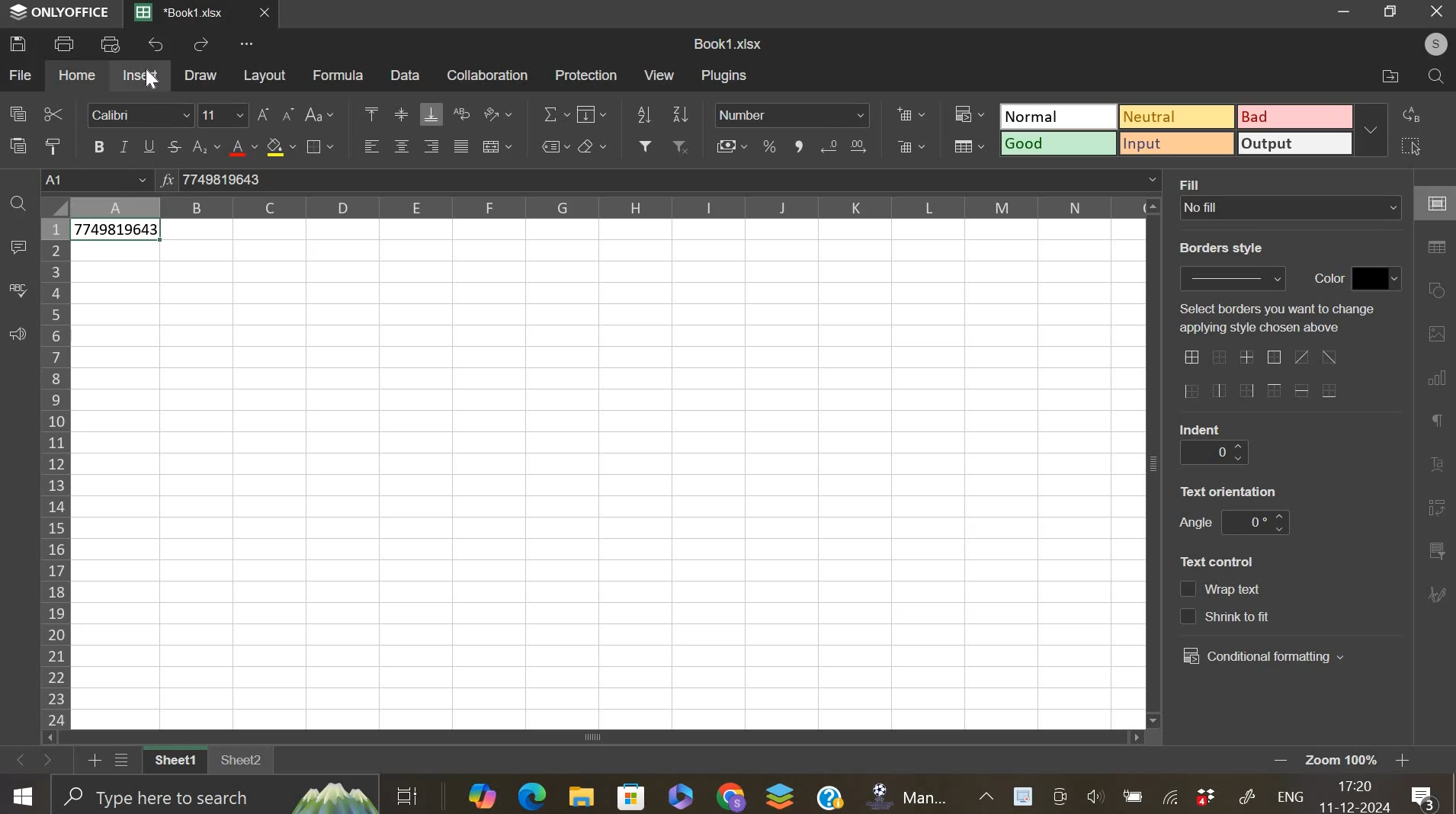  I want to click on underline, so click(149, 146).